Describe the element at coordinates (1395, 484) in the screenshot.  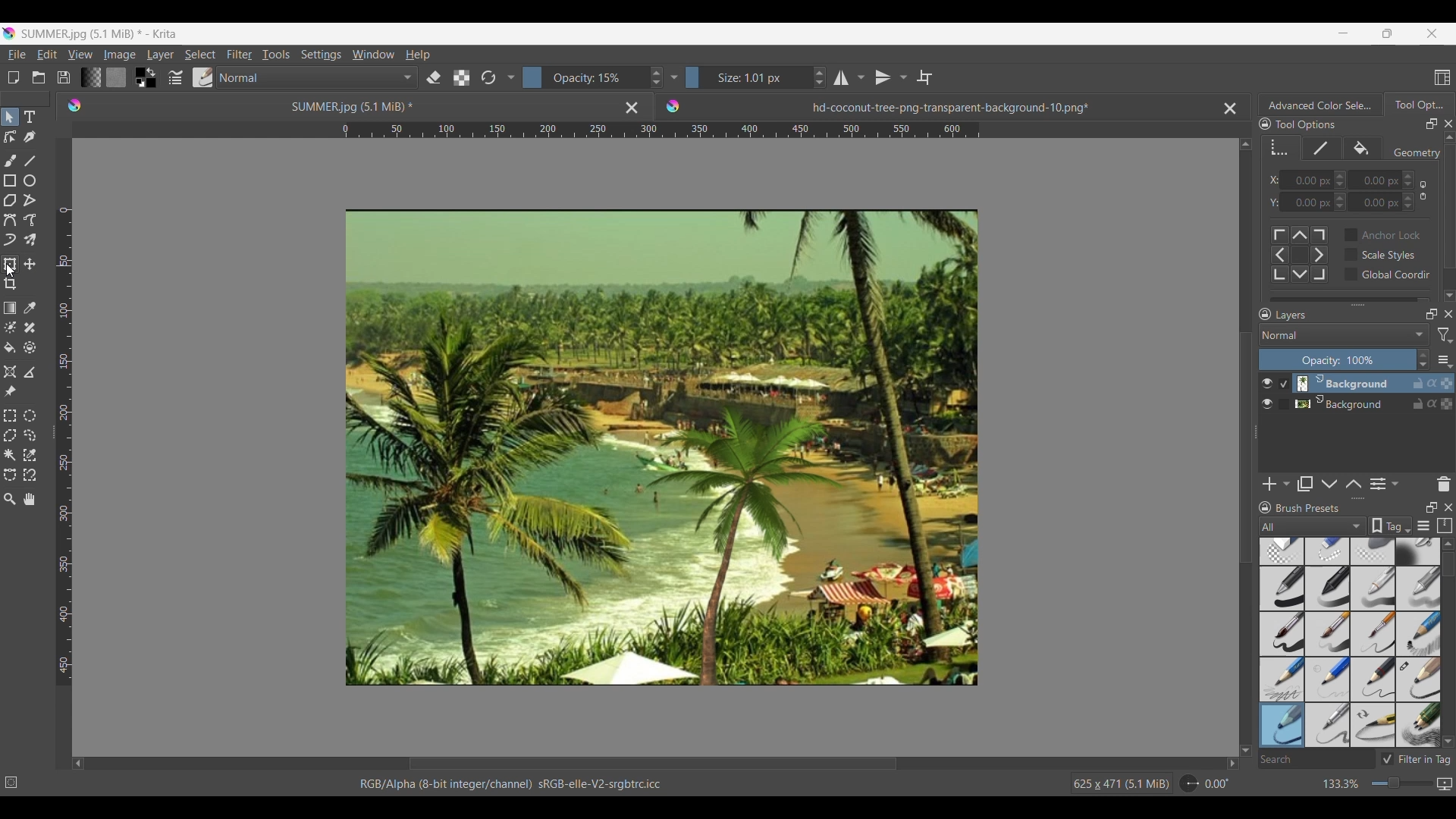
I see `Edit layer property options` at that location.